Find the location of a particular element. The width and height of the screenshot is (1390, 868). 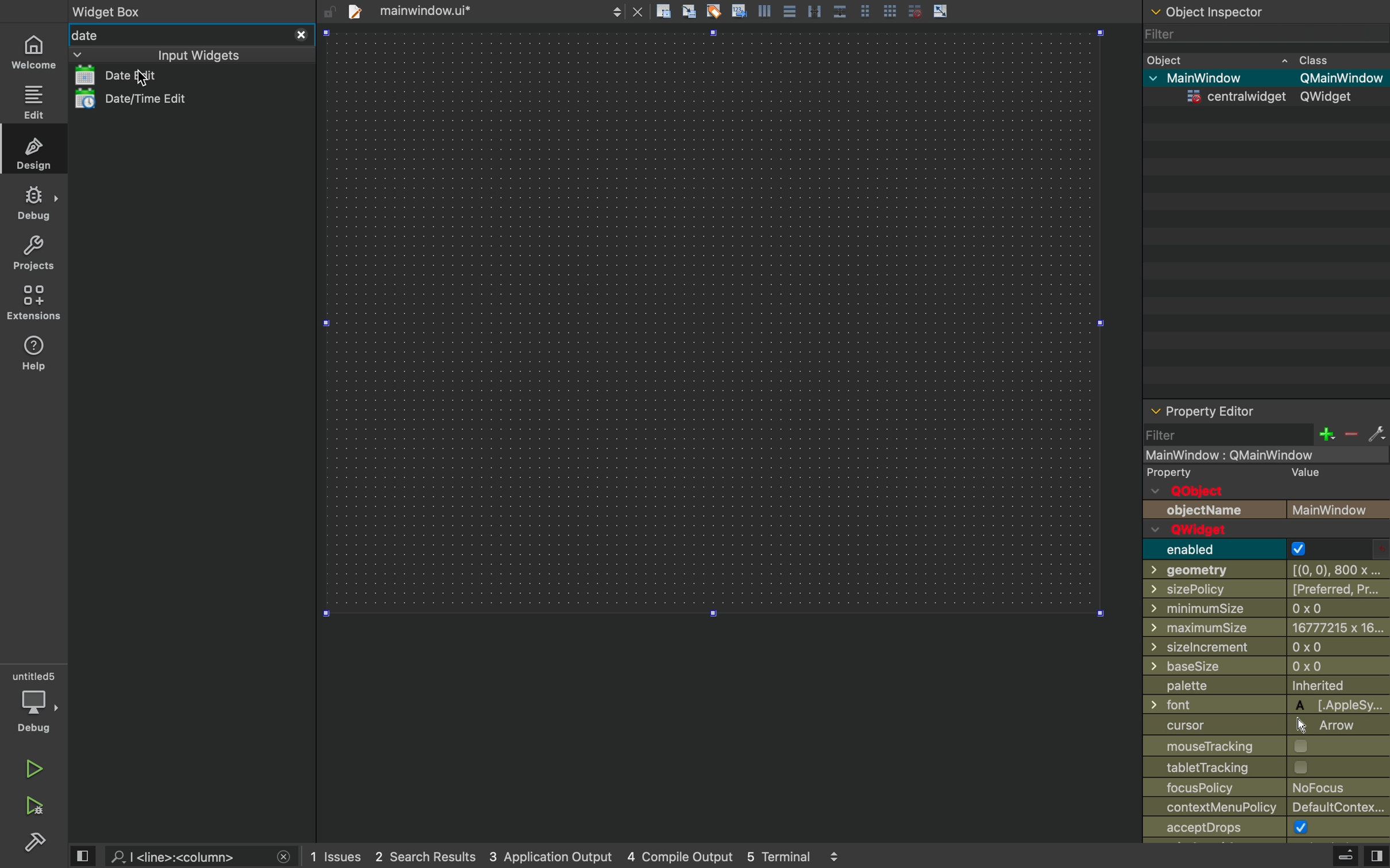

cursor is located at coordinates (142, 78).